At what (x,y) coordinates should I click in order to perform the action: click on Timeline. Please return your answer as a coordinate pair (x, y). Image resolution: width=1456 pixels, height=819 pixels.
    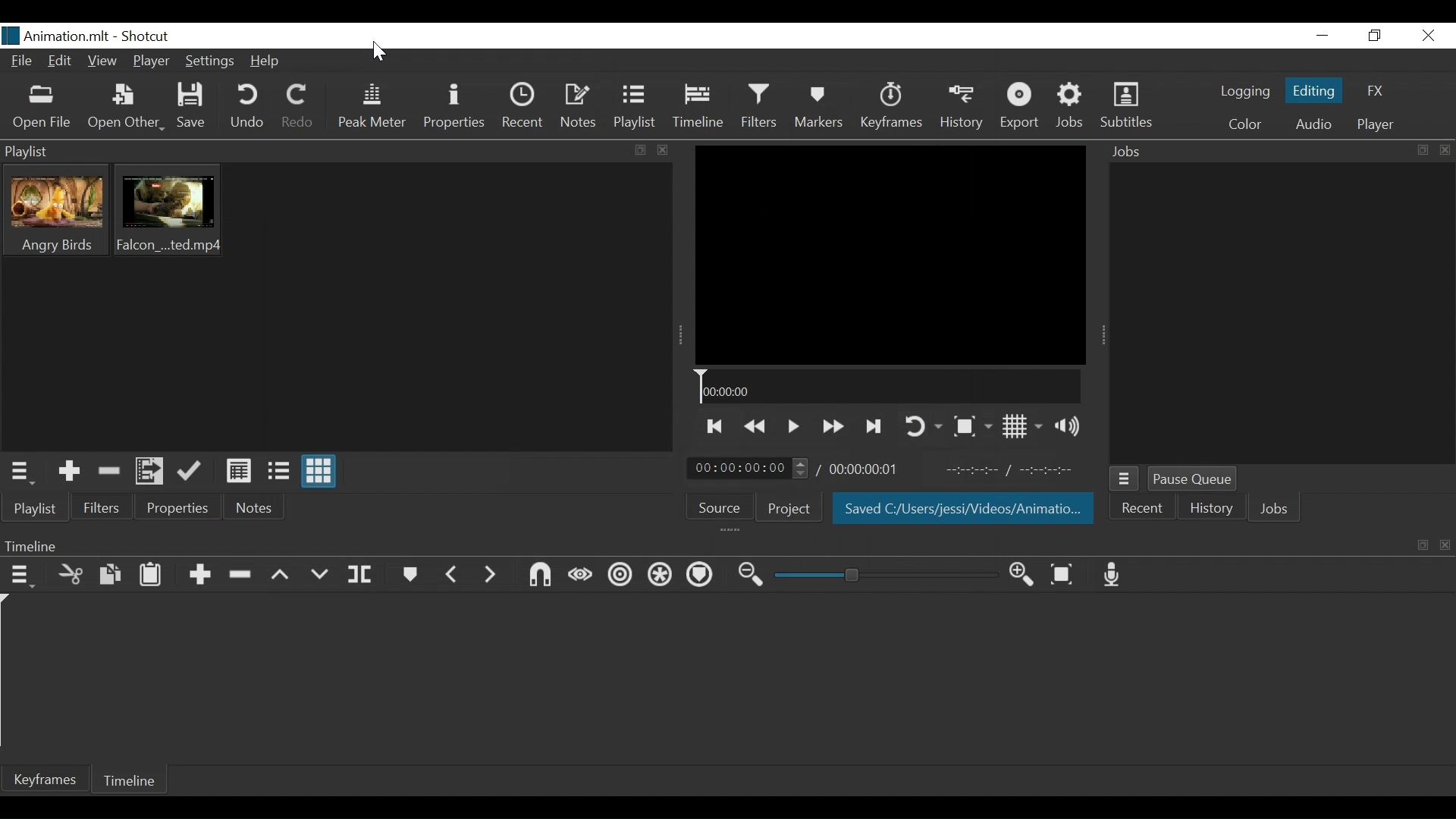
    Looking at the image, I should click on (890, 388).